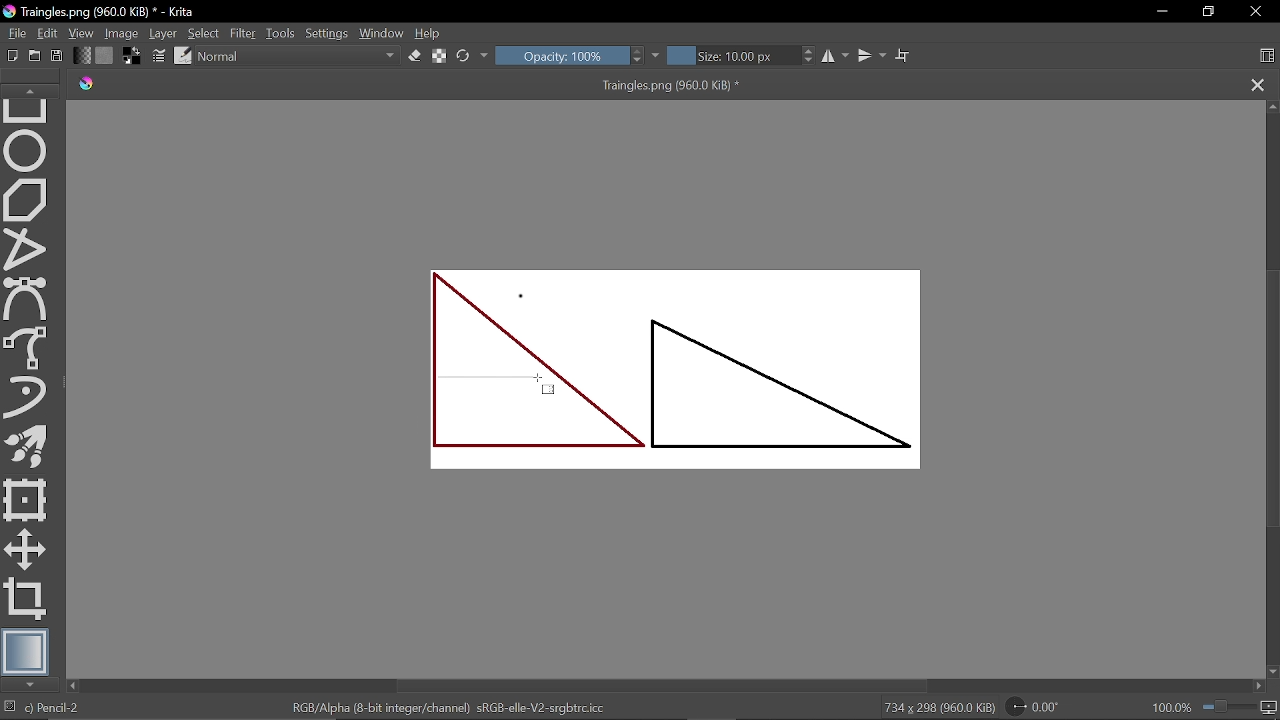 The width and height of the screenshot is (1280, 720). I want to click on Edit, so click(47, 32).